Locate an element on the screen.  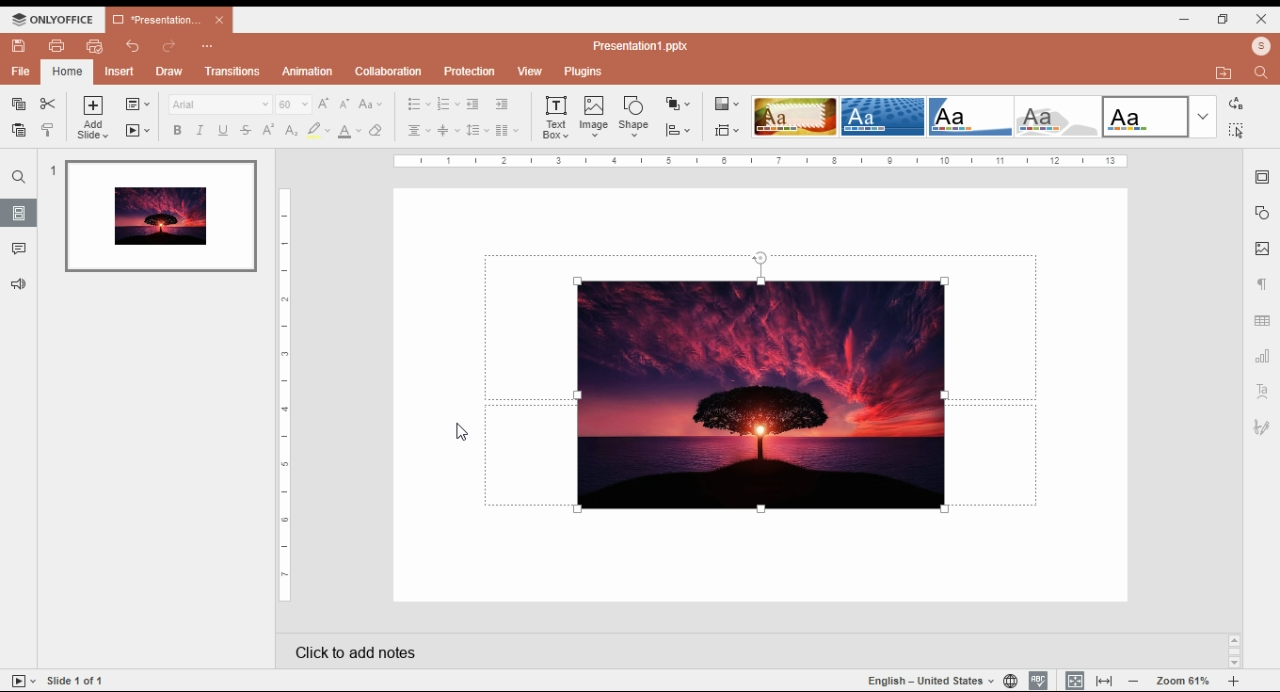
fit to slide is located at coordinates (1074, 680).